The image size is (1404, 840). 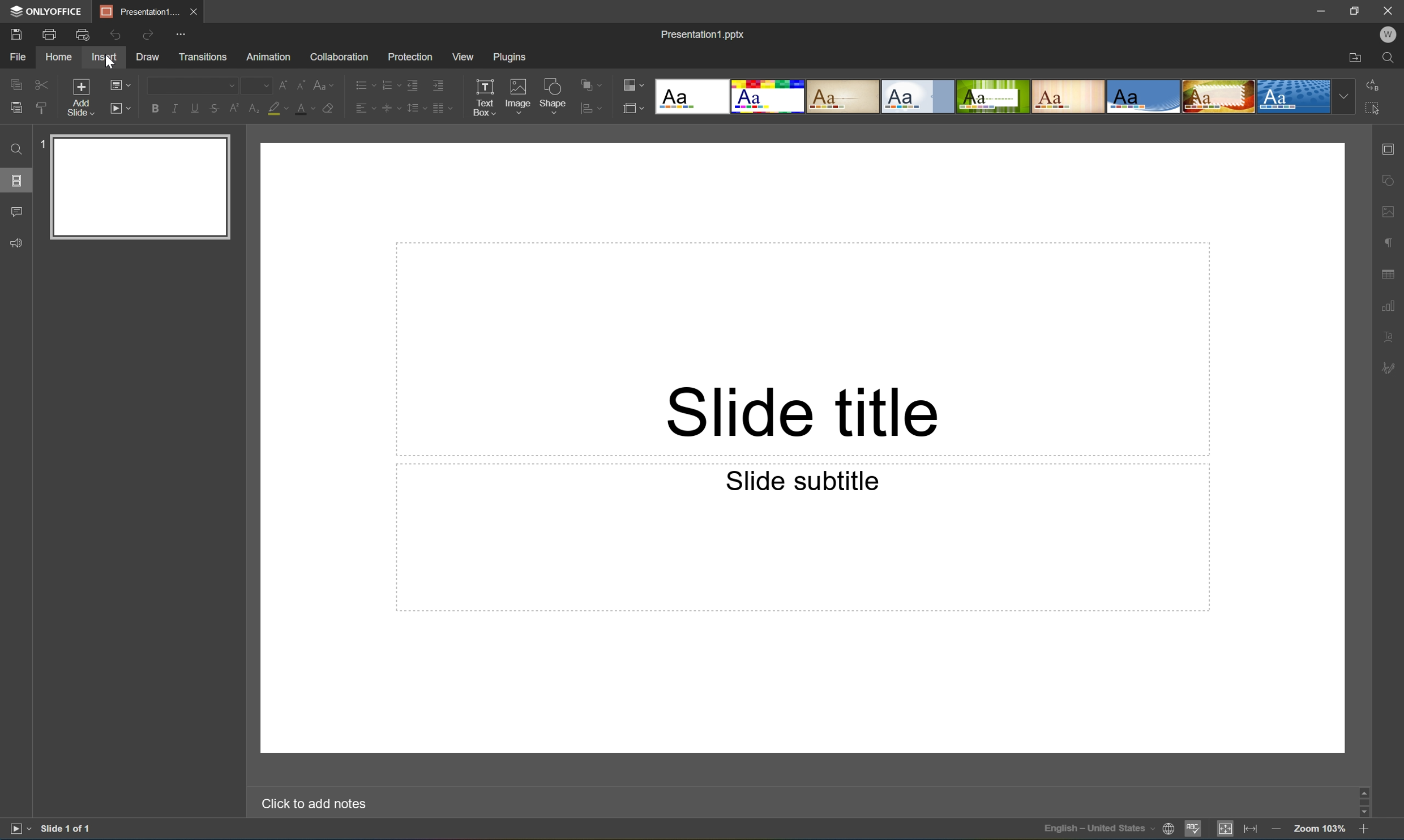 What do you see at coordinates (1097, 830) in the screenshot?
I see `English-United States` at bounding box center [1097, 830].